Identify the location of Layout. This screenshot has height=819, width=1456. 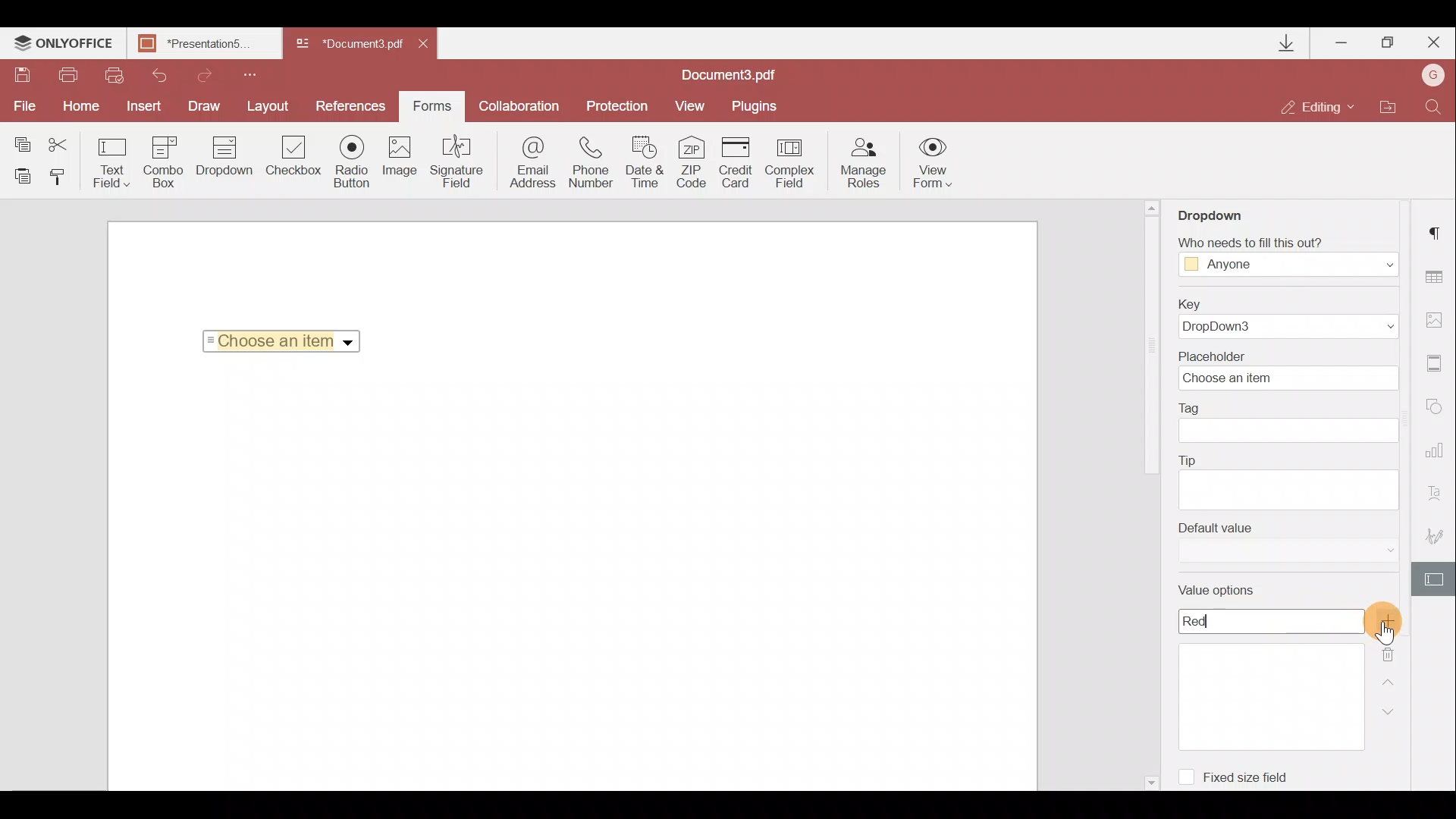
(272, 106).